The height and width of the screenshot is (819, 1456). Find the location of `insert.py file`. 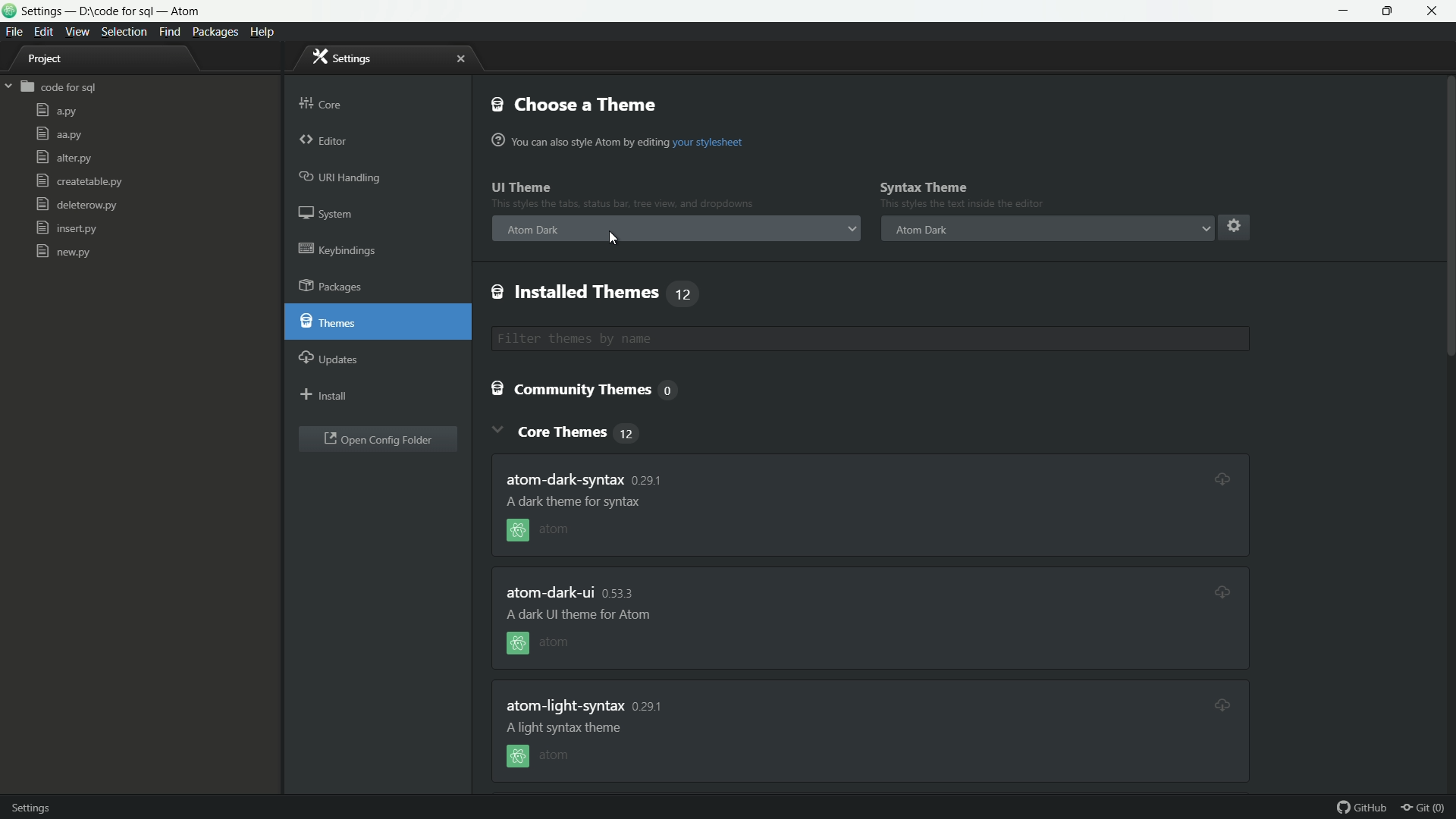

insert.py file is located at coordinates (67, 228).